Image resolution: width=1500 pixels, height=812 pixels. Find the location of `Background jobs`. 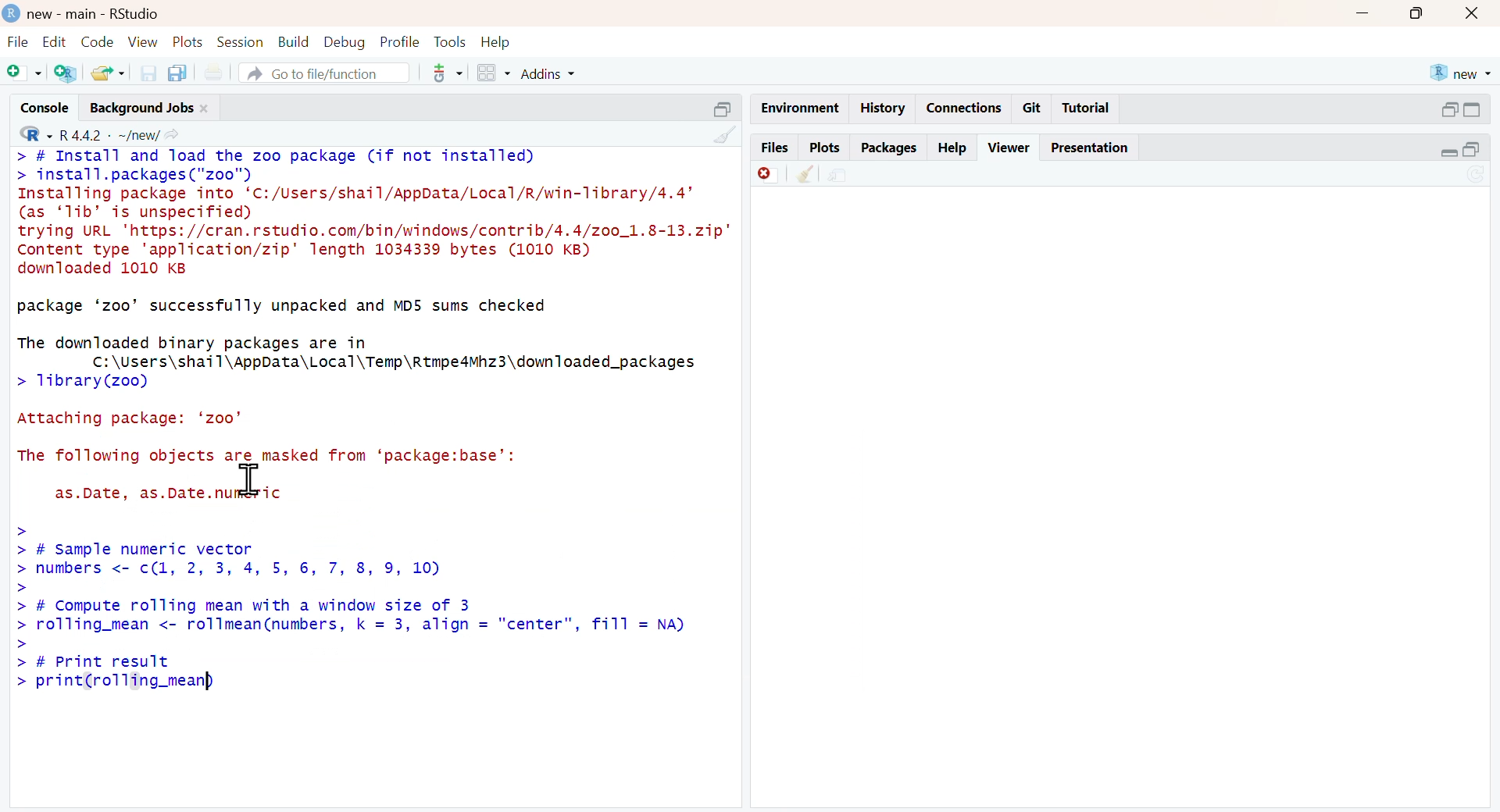

Background jobs is located at coordinates (141, 108).